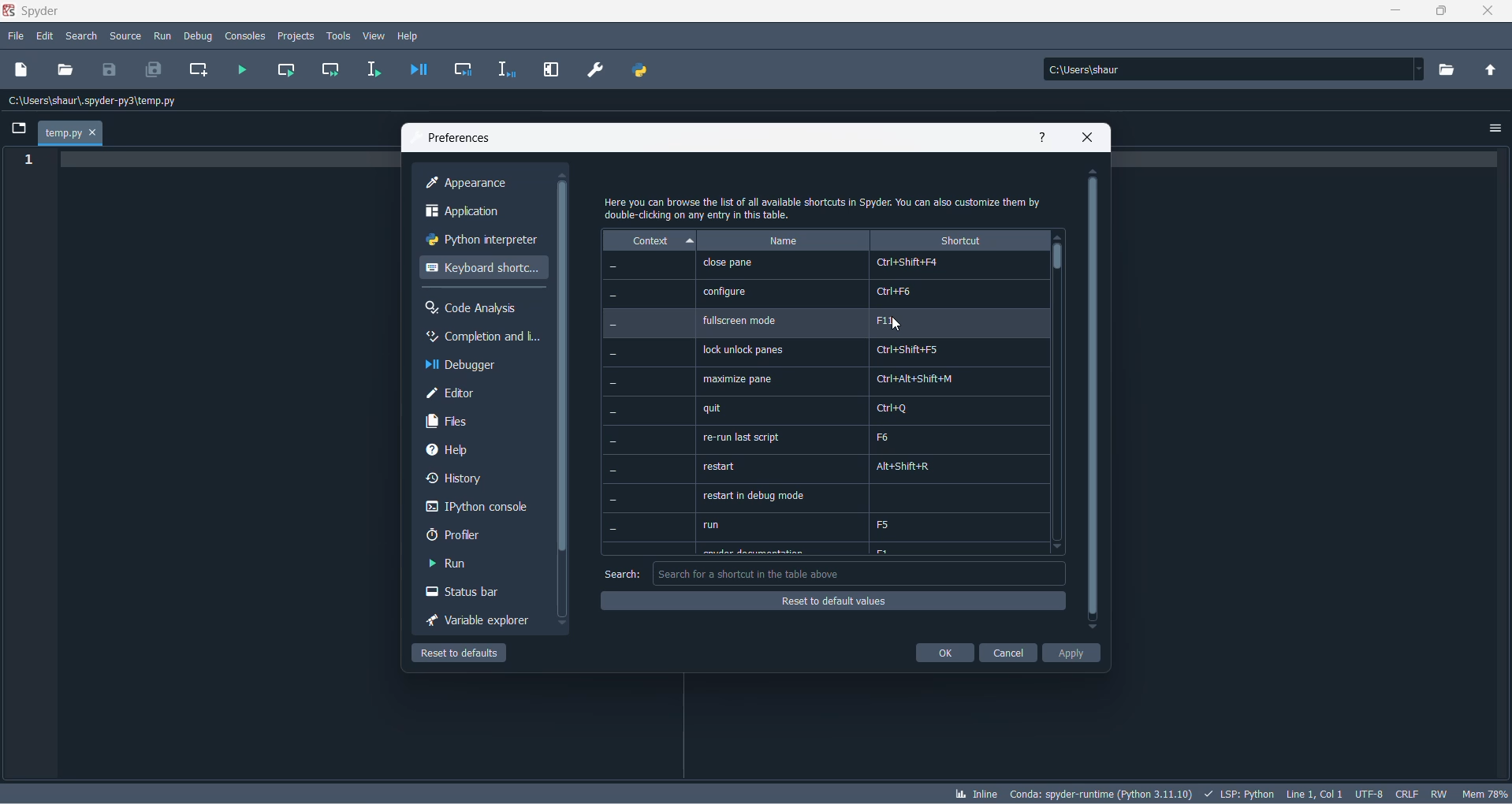  Describe the element at coordinates (564, 624) in the screenshot. I see `move down` at that location.